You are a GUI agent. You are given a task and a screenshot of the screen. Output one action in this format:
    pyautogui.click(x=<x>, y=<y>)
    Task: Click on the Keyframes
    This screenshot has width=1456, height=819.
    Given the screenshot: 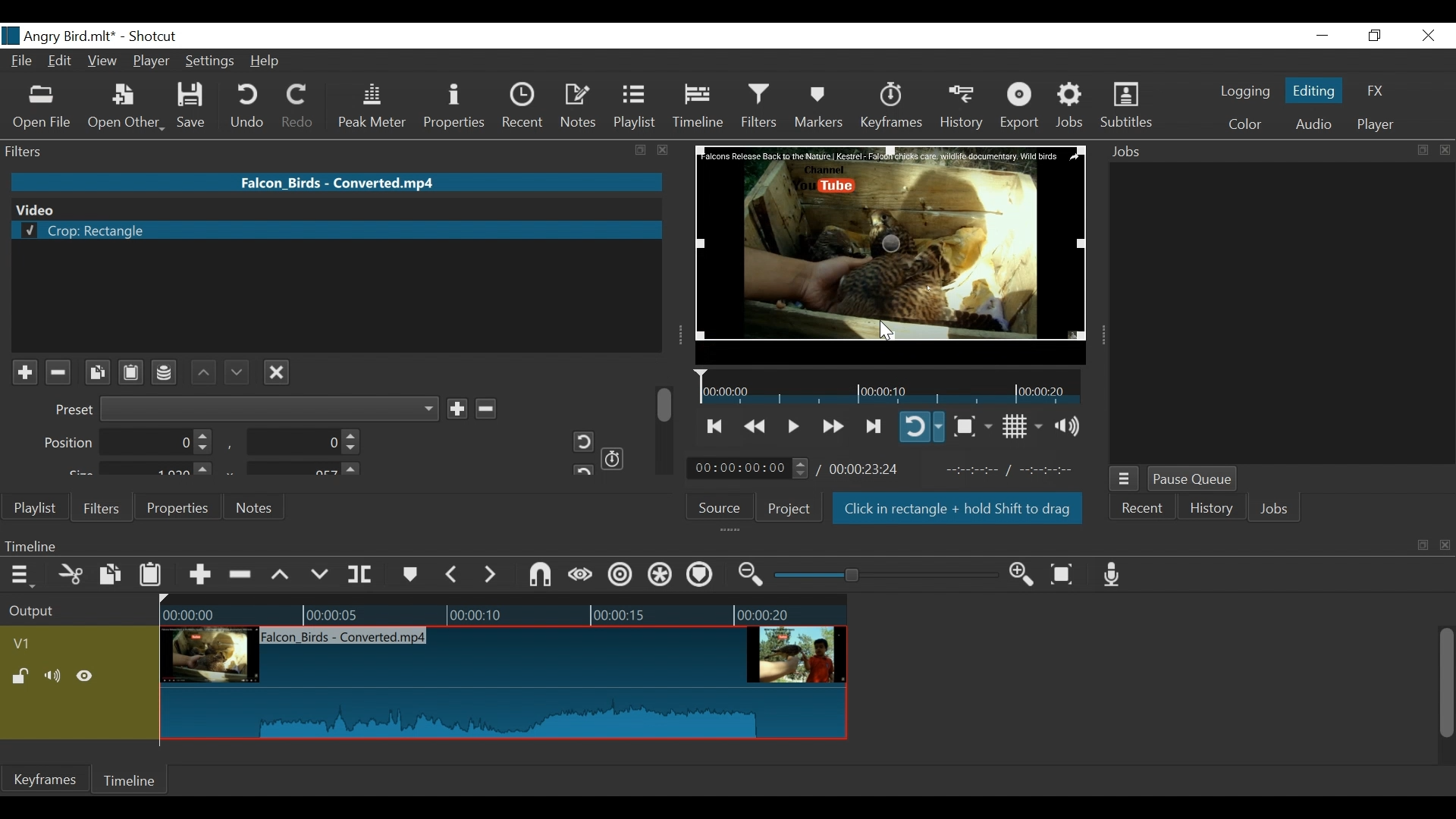 What is the action you would take?
    pyautogui.click(x=45, y=779)
    